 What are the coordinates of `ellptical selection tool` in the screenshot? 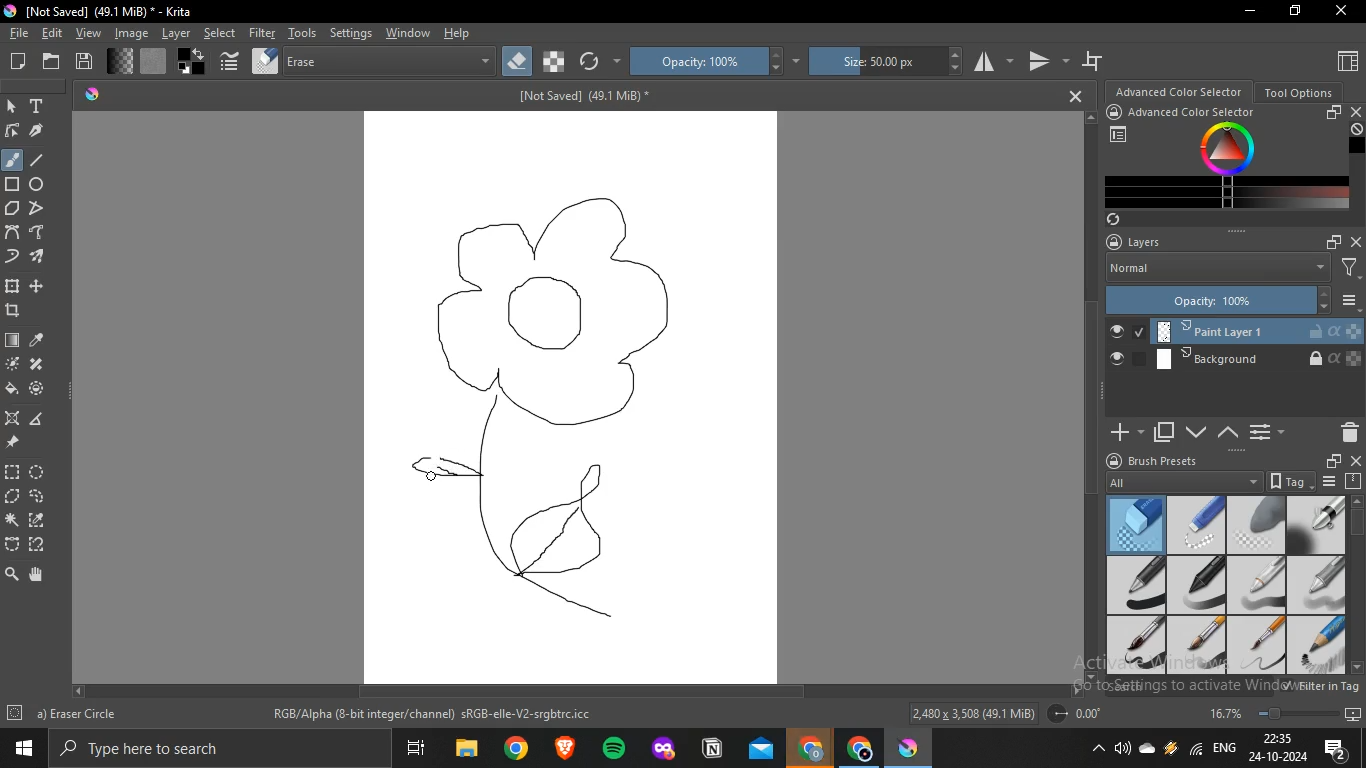 It's located at (41, 472).